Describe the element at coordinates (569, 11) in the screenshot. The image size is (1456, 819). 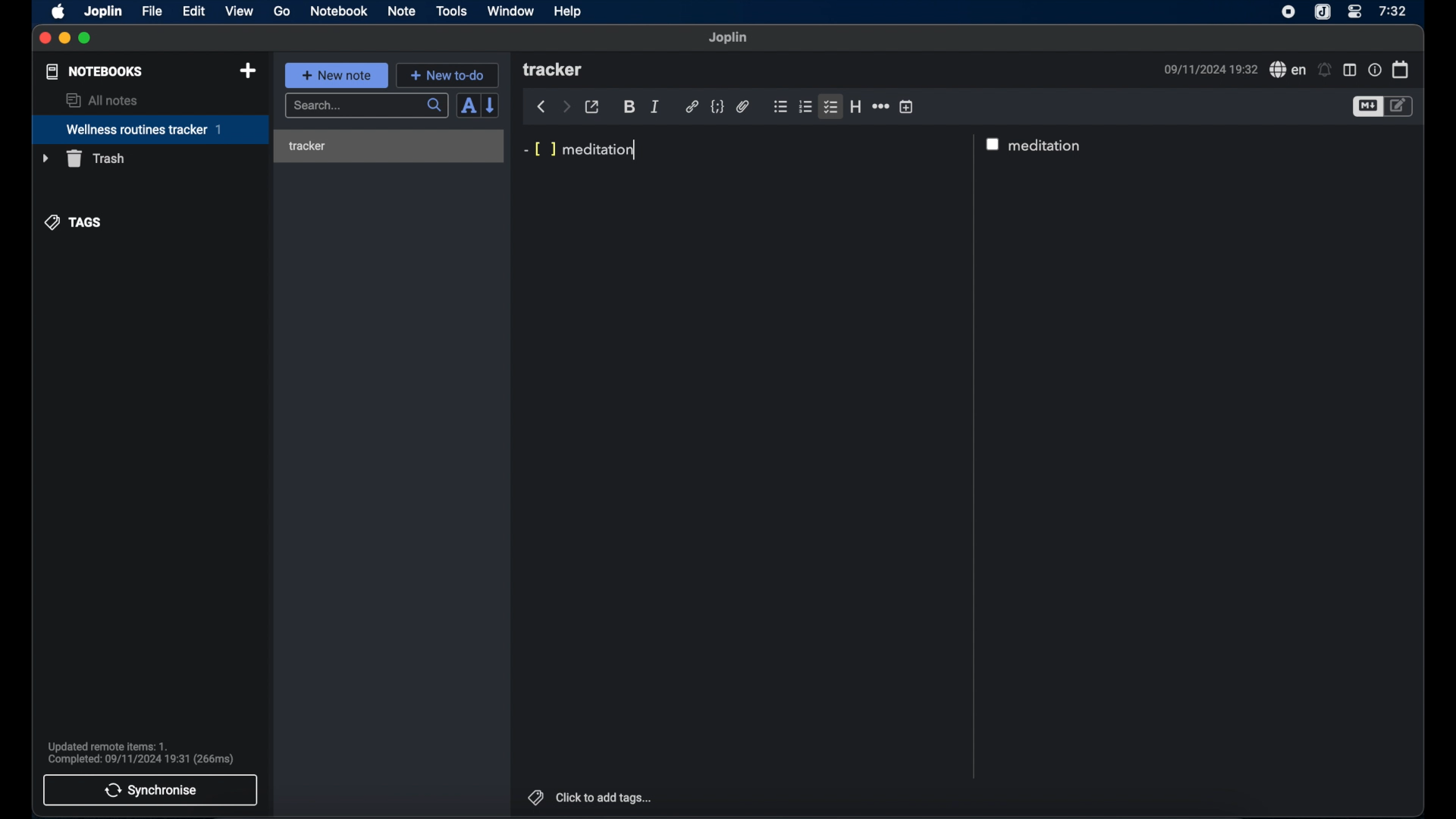
I see `help` at that location.